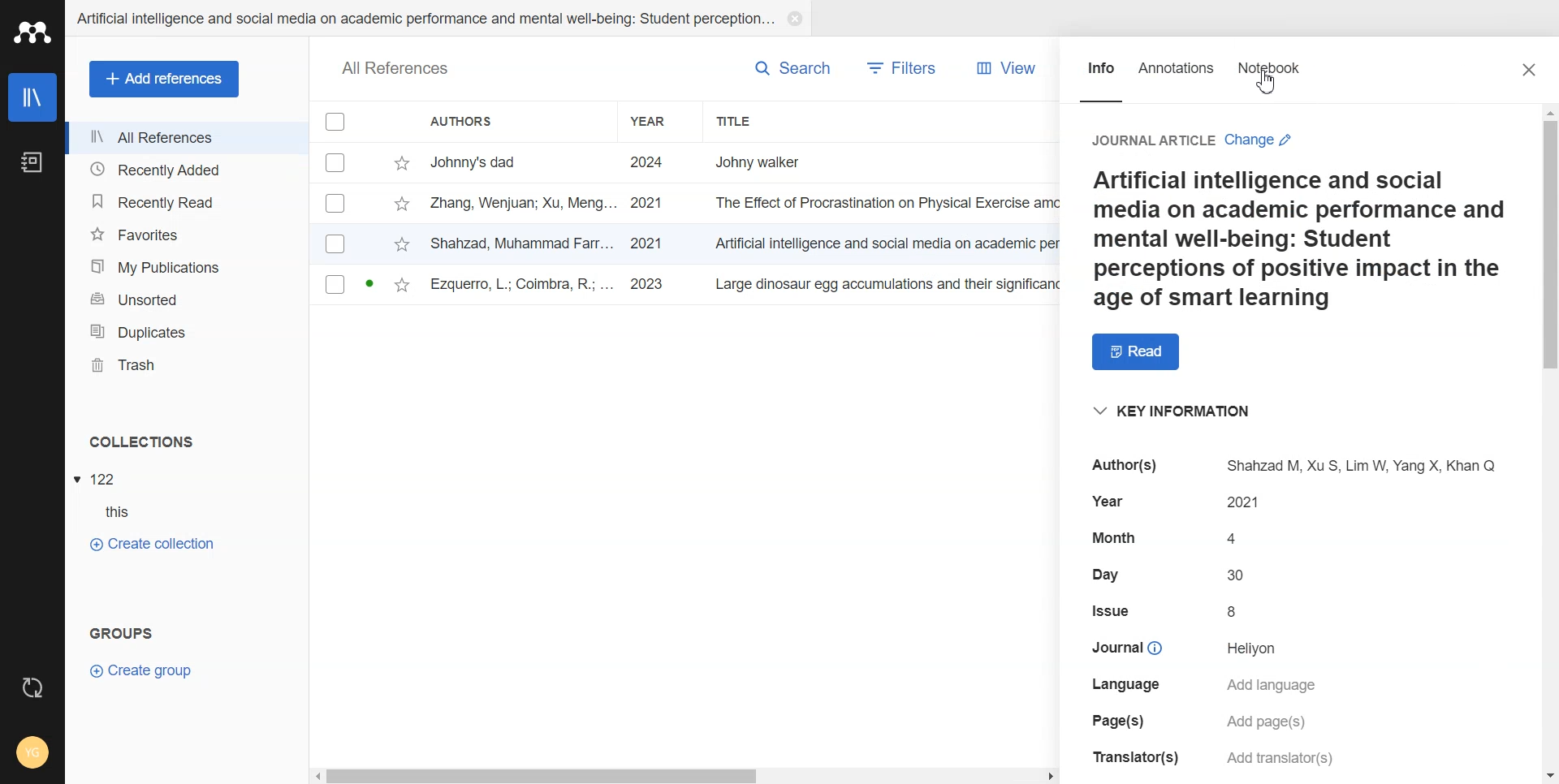 This screenshot has height=784, width=1559. Describe the element at coordinates (524, 243) in the screenshot. I see `shahzad, muhammad farr...` at that location.